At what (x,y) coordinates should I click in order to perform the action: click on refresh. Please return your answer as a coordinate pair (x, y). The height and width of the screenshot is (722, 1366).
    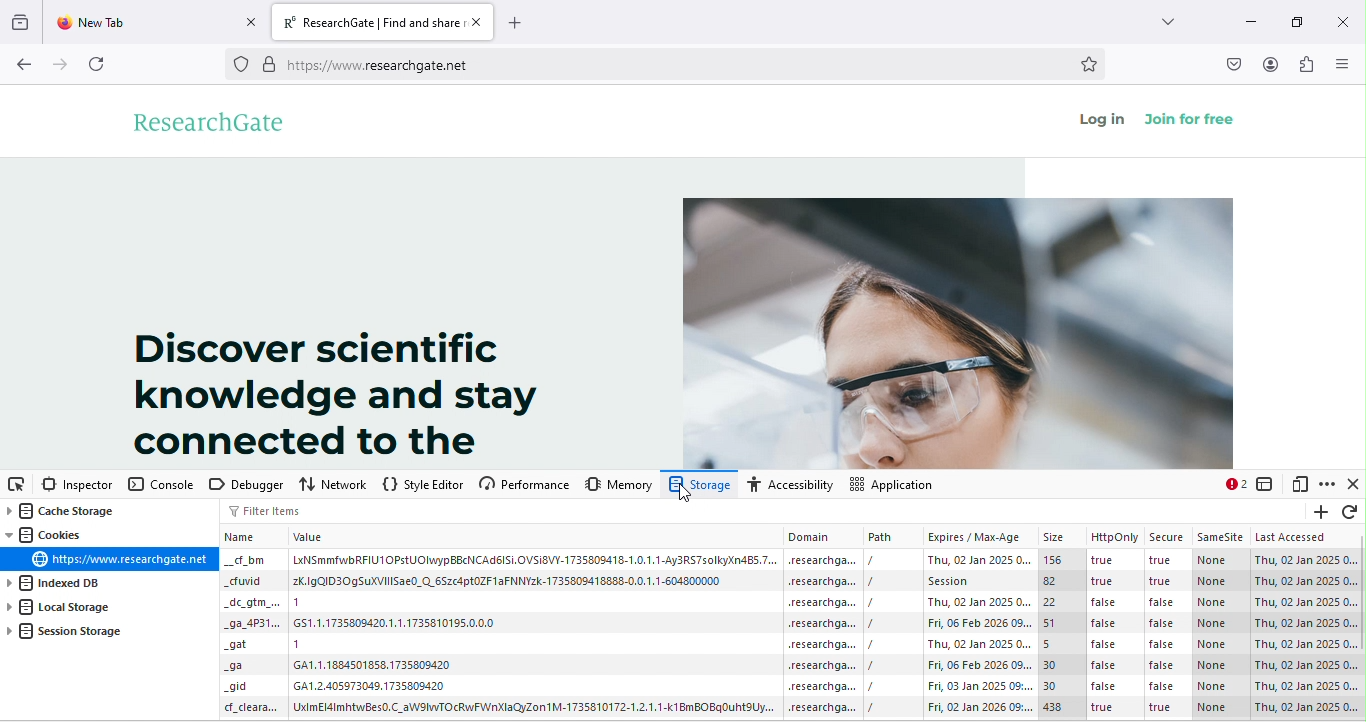
    Looking at the image, I should click on (1353, 511).